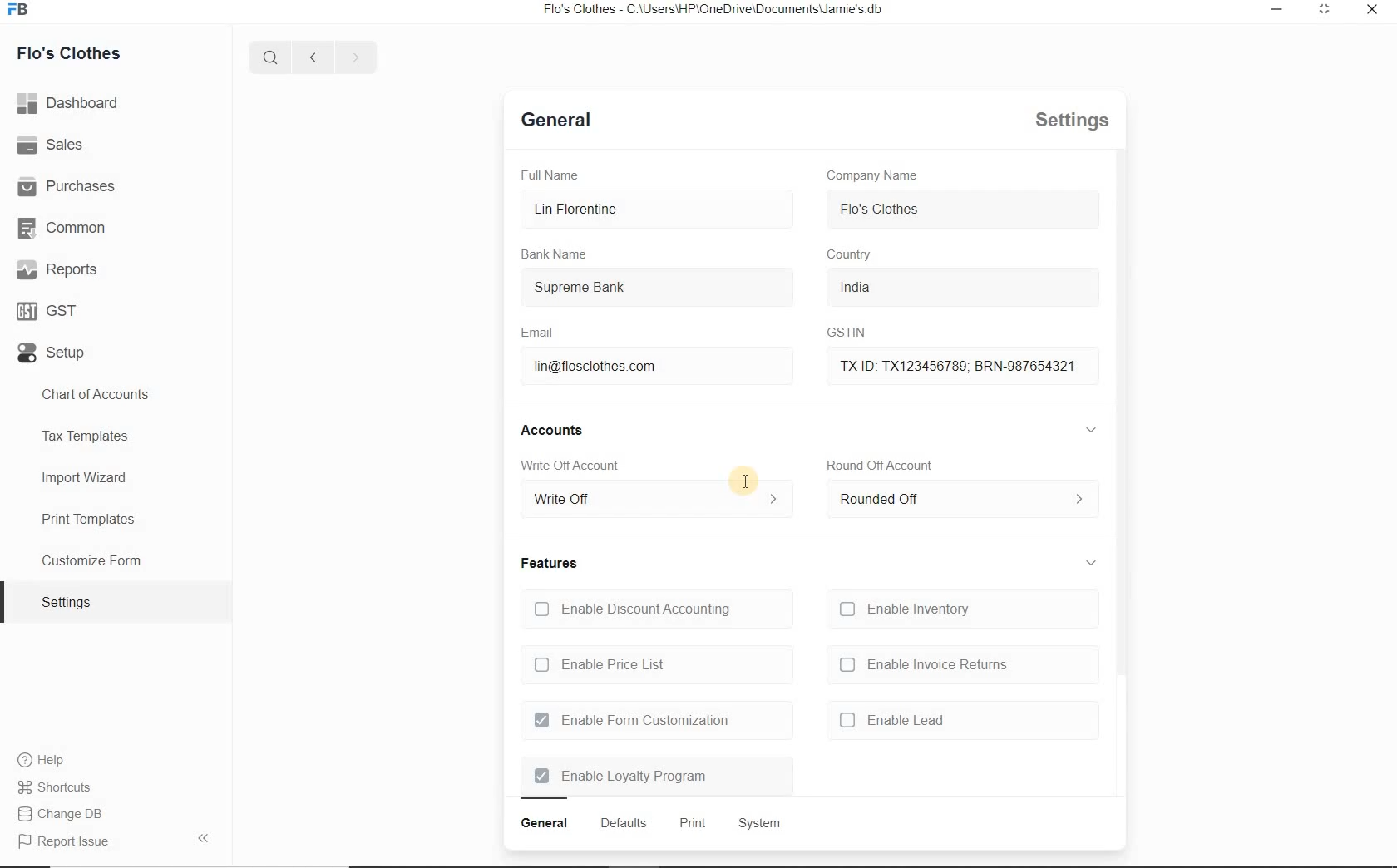 The image size is (1397, 868). I want to click on Enable Invoice Returns, so click(935, 662).